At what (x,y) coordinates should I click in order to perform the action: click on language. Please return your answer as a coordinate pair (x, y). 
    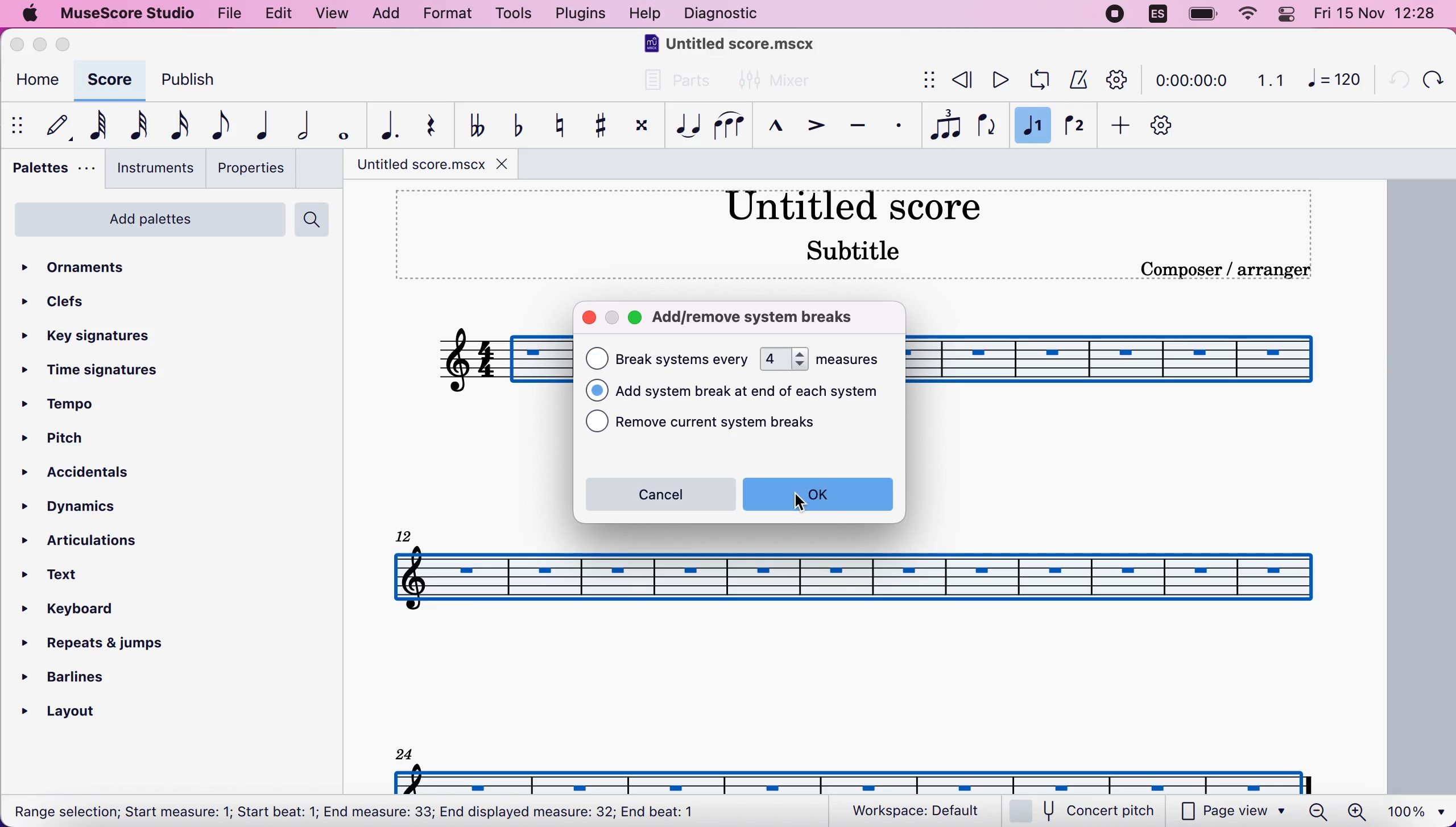
    Looking at the image, I should click on (1159, 17).